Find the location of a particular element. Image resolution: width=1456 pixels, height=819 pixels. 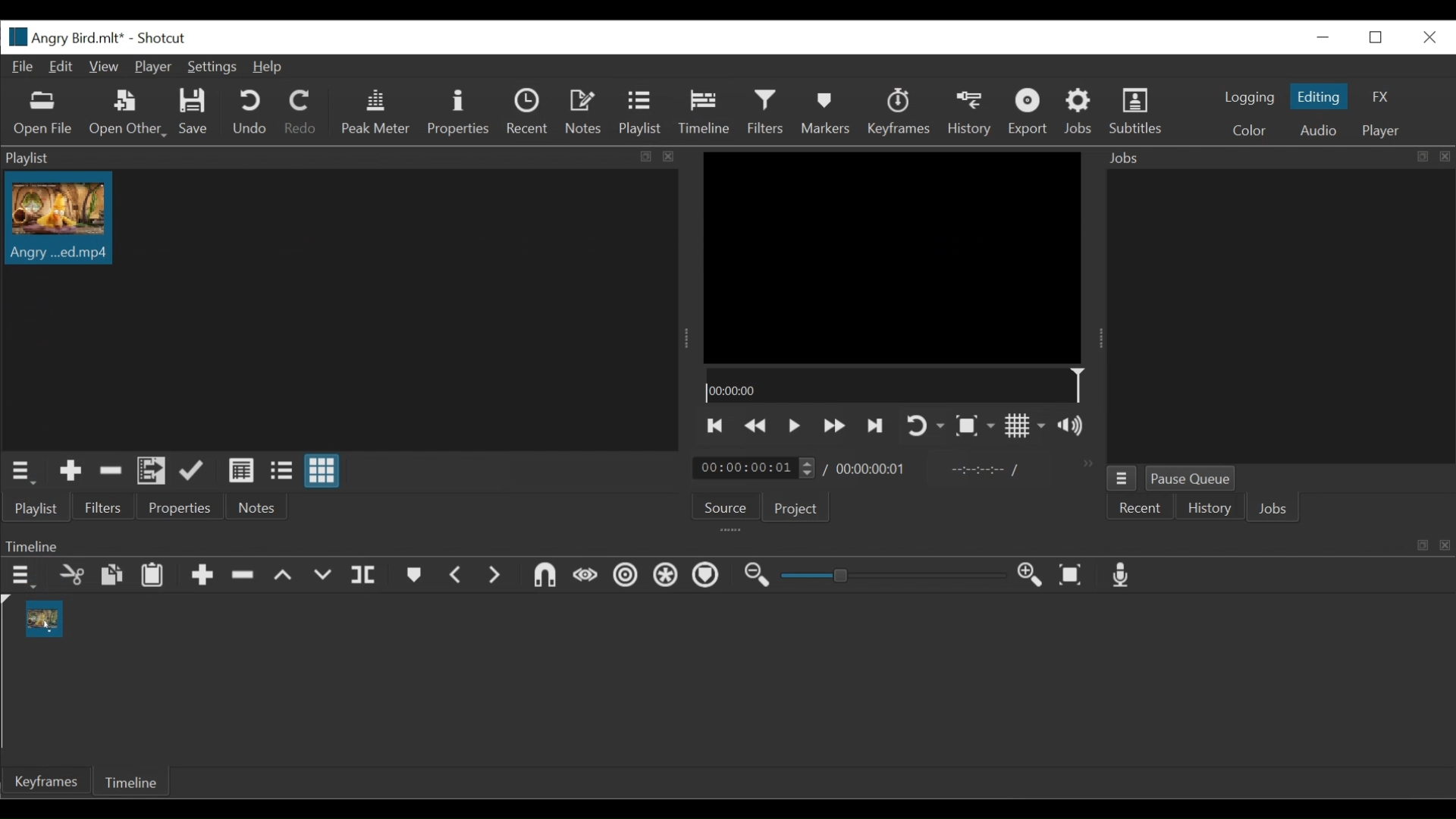

Previous marker is located at coordinates (457, 576).